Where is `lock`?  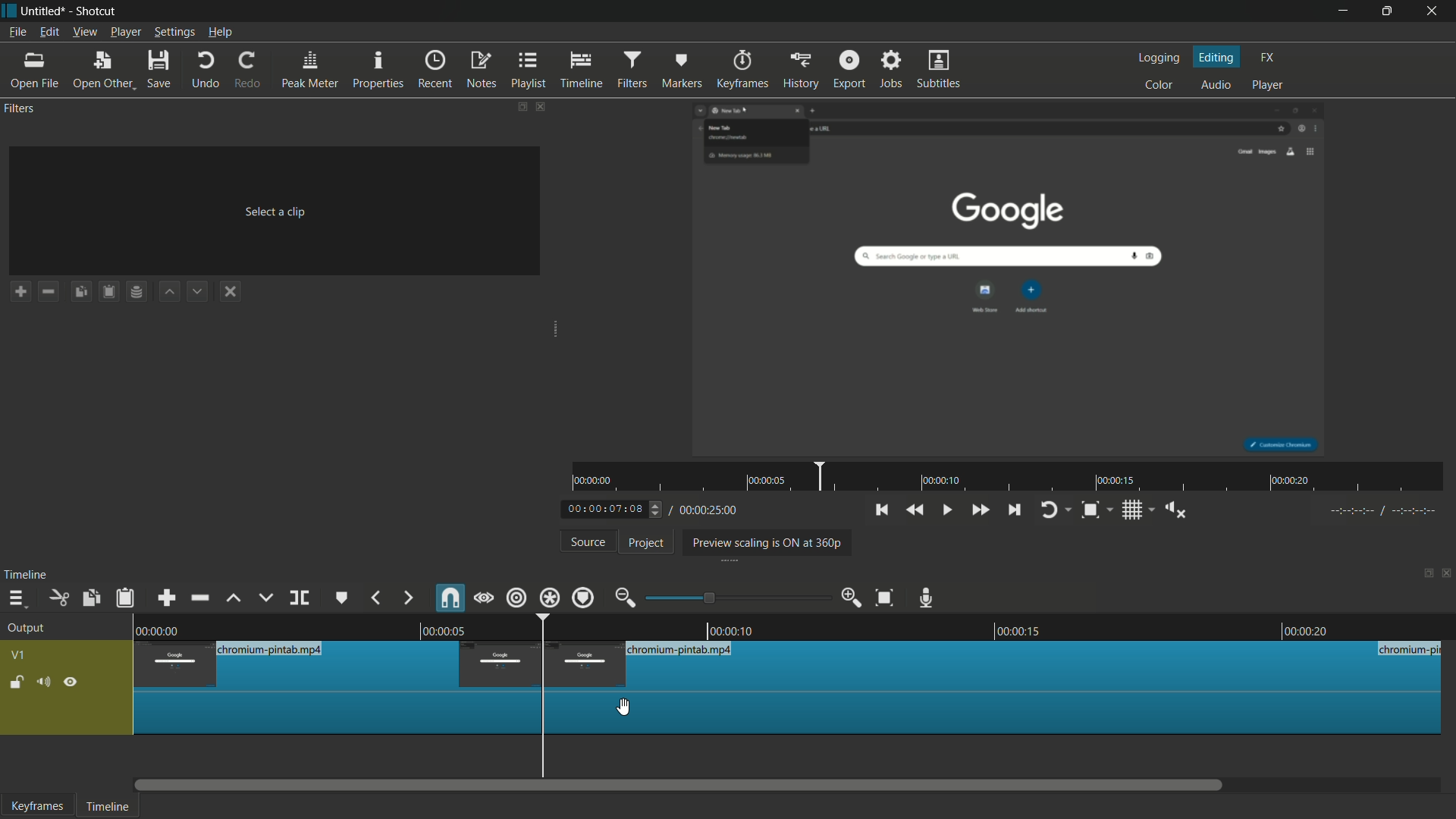 lock is located at coordinates (17, 684).